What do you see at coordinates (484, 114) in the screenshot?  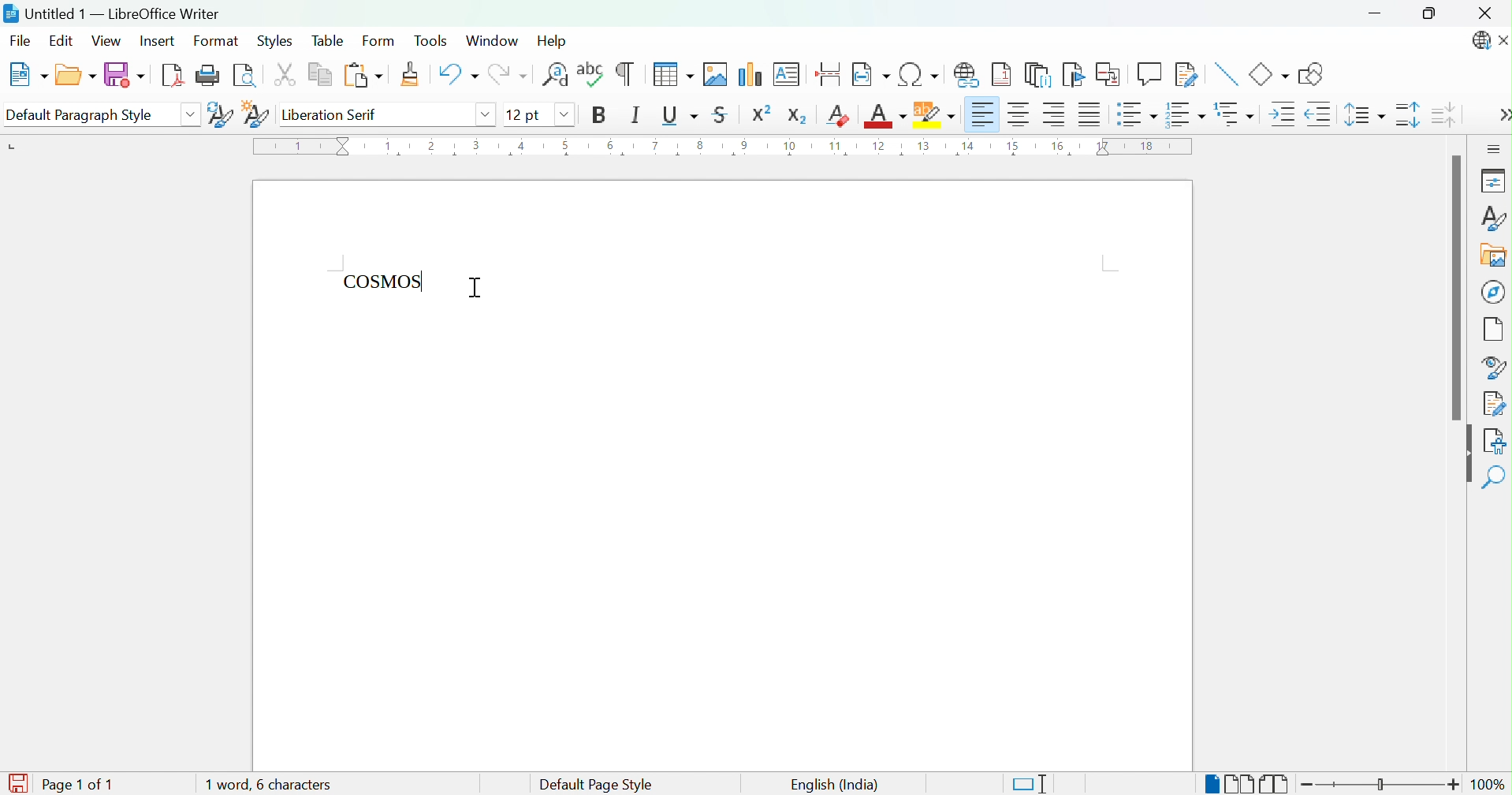 I see `Drop down` at bounding box center [484, 114].